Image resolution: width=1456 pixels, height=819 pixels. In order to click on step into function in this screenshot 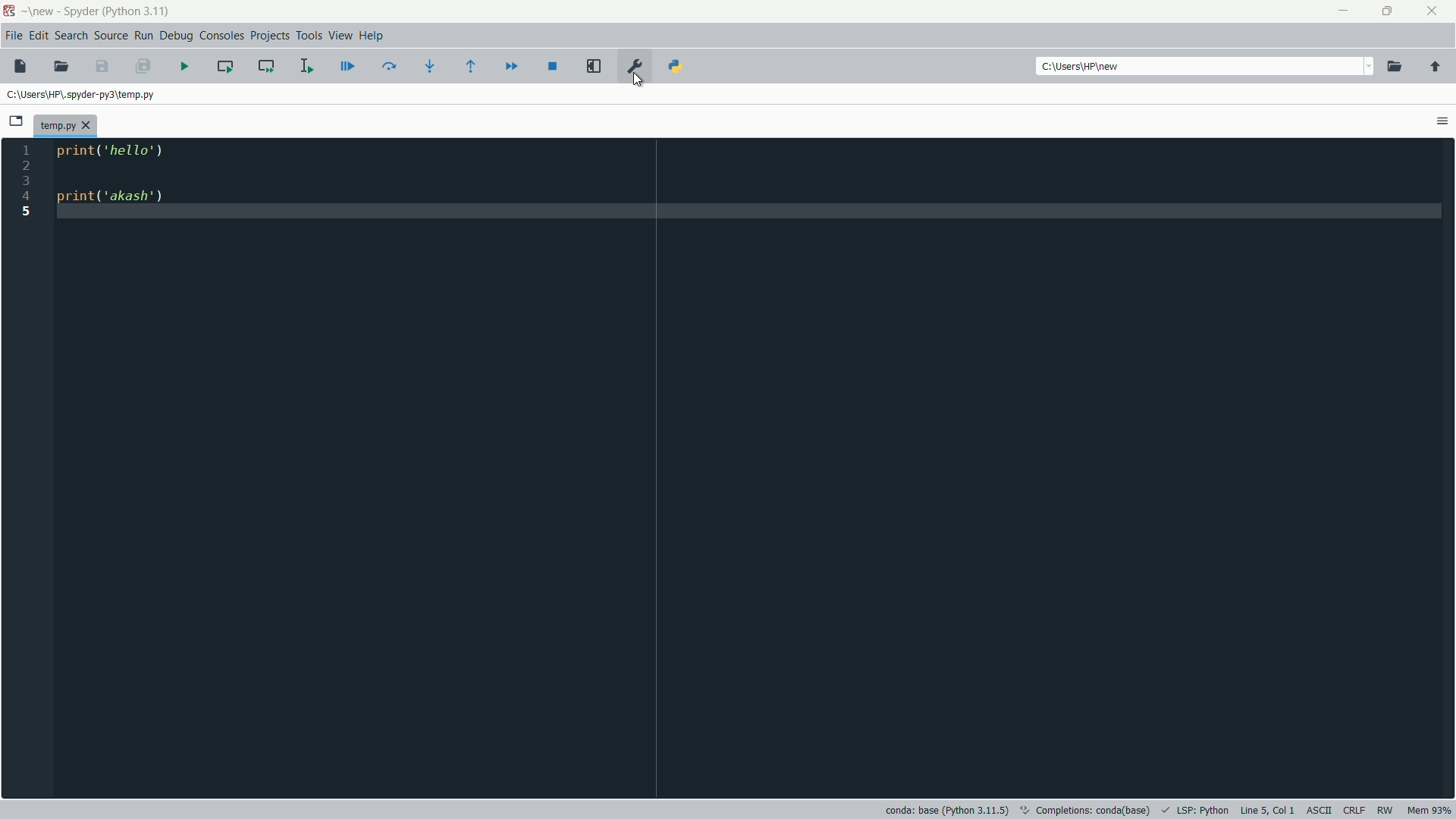, I will do `click(431, 65)`.